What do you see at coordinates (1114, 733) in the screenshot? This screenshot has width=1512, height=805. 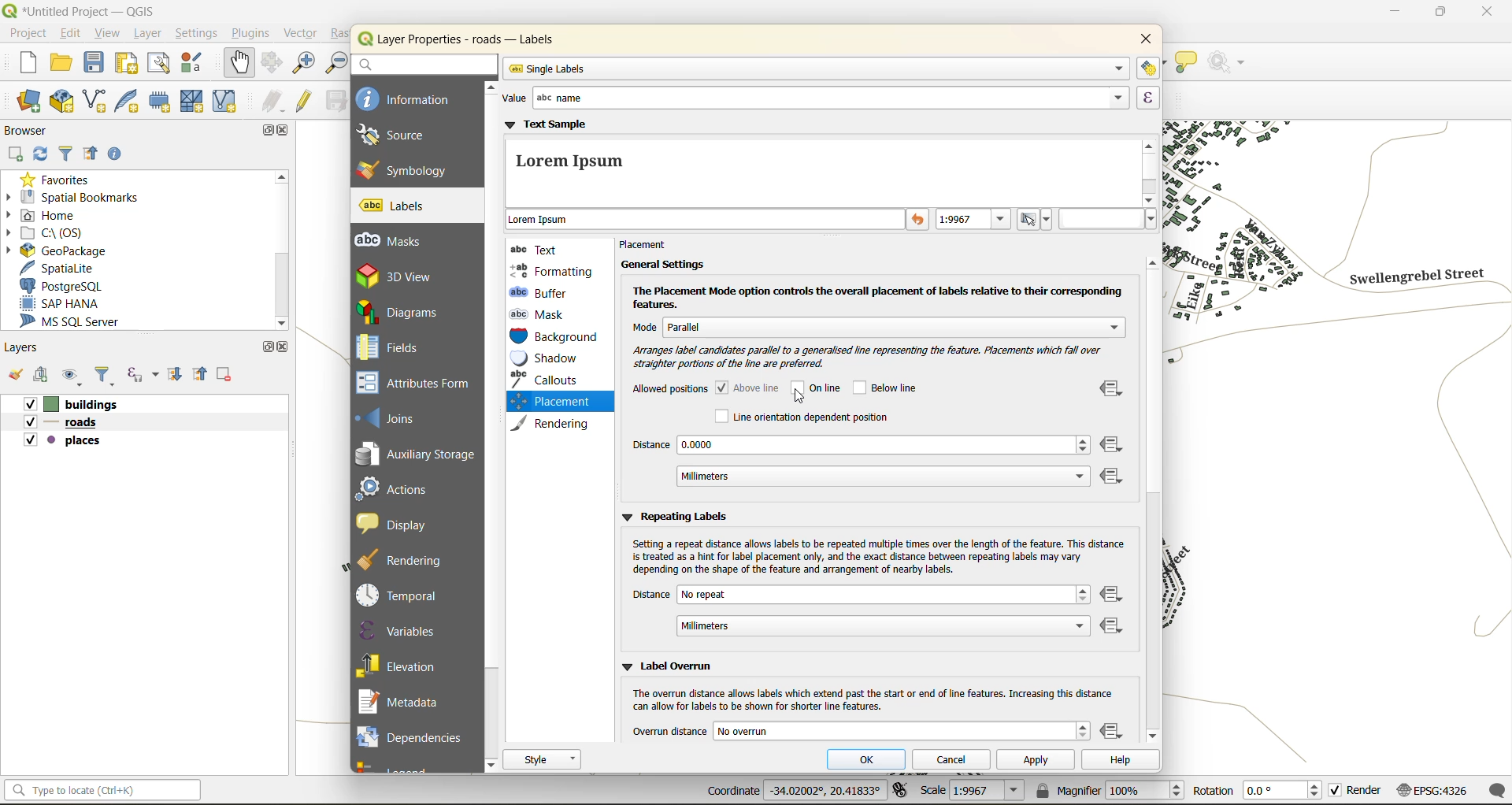 I see `data defined override` at bounding box center [1114, 733].